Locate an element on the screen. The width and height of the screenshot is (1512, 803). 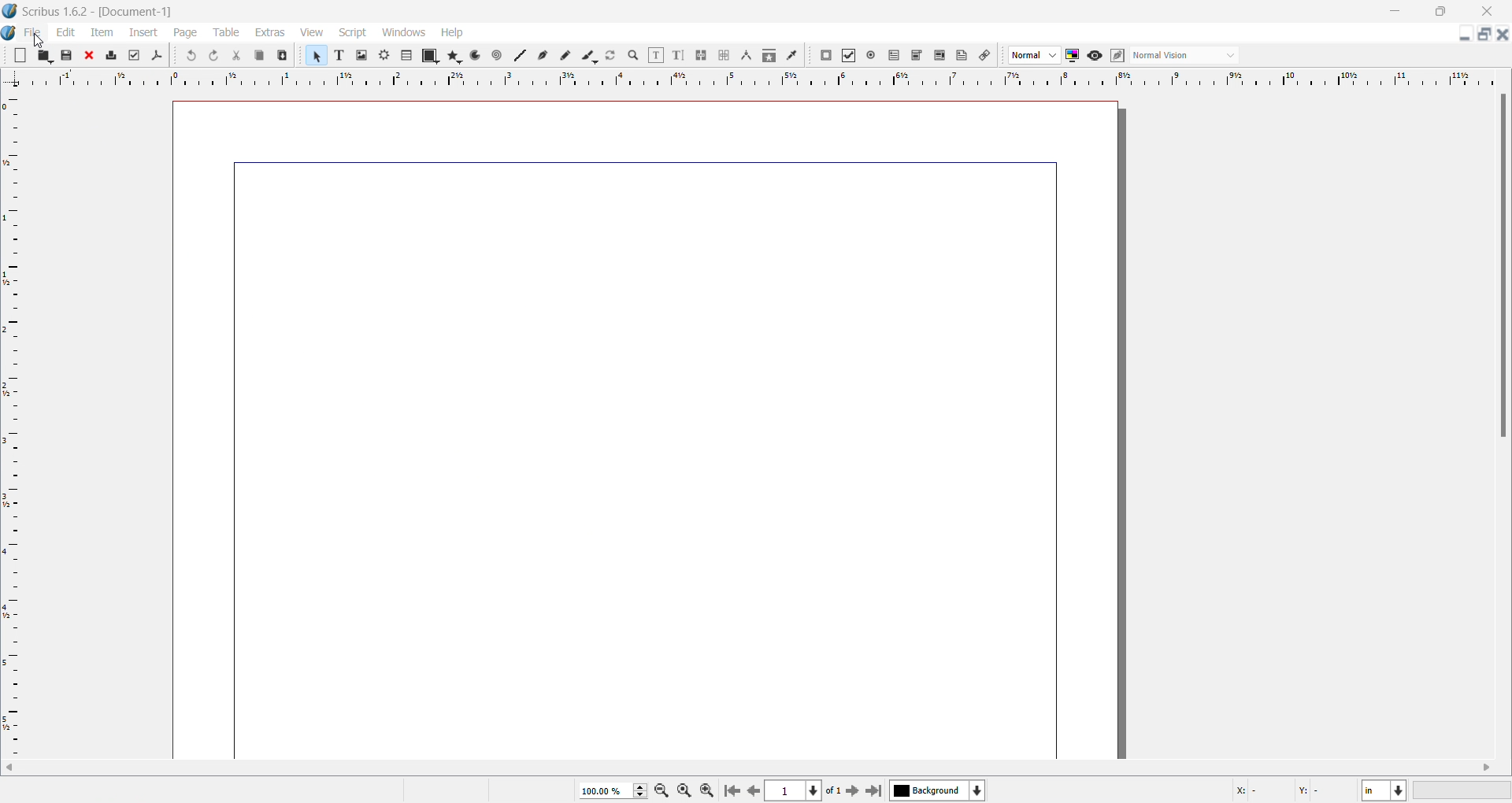
icon is located at coordinates (792, 57).